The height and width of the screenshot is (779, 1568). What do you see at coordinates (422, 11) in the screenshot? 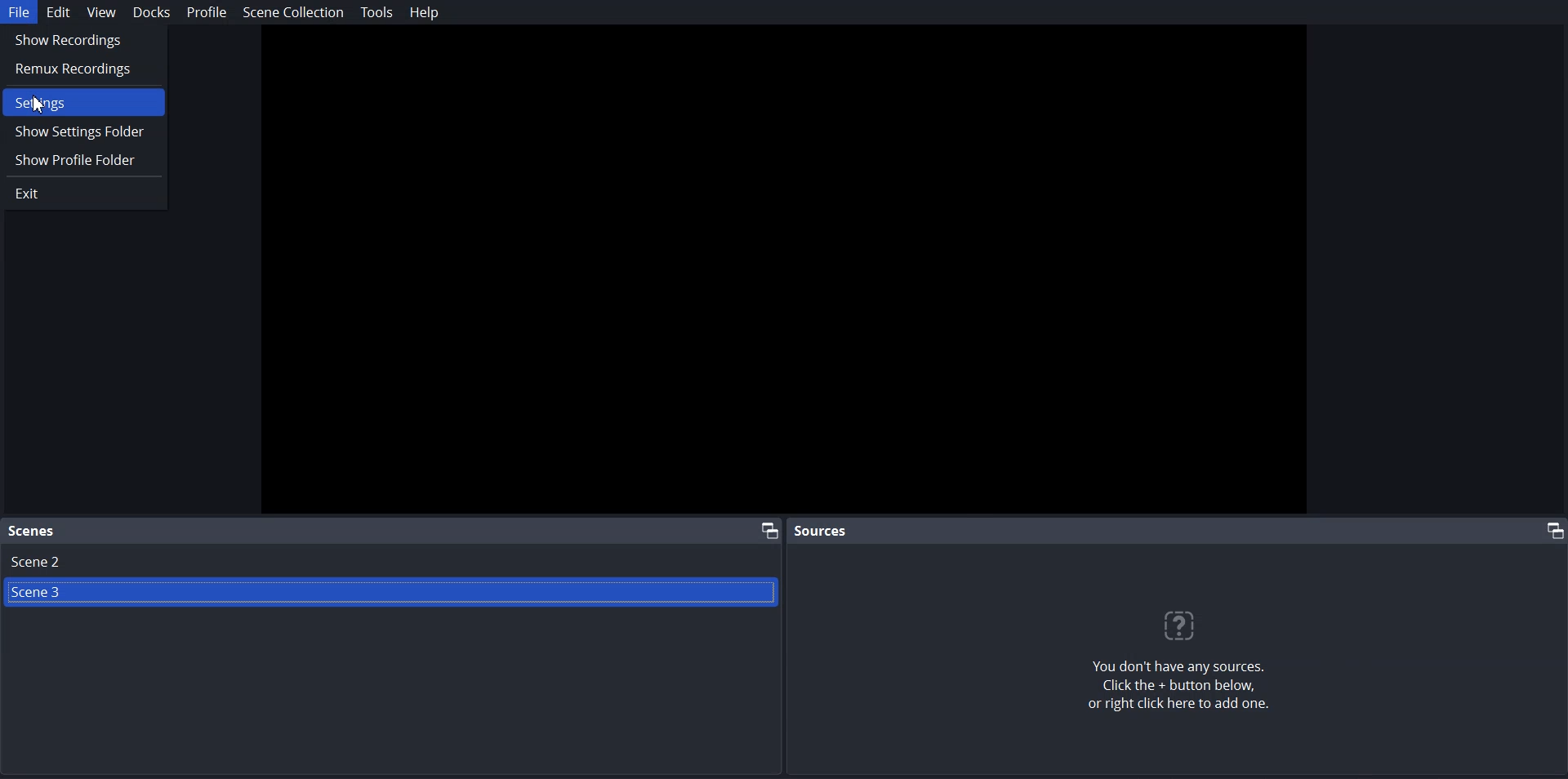
I see `Help` at bounding box center [422, 11].